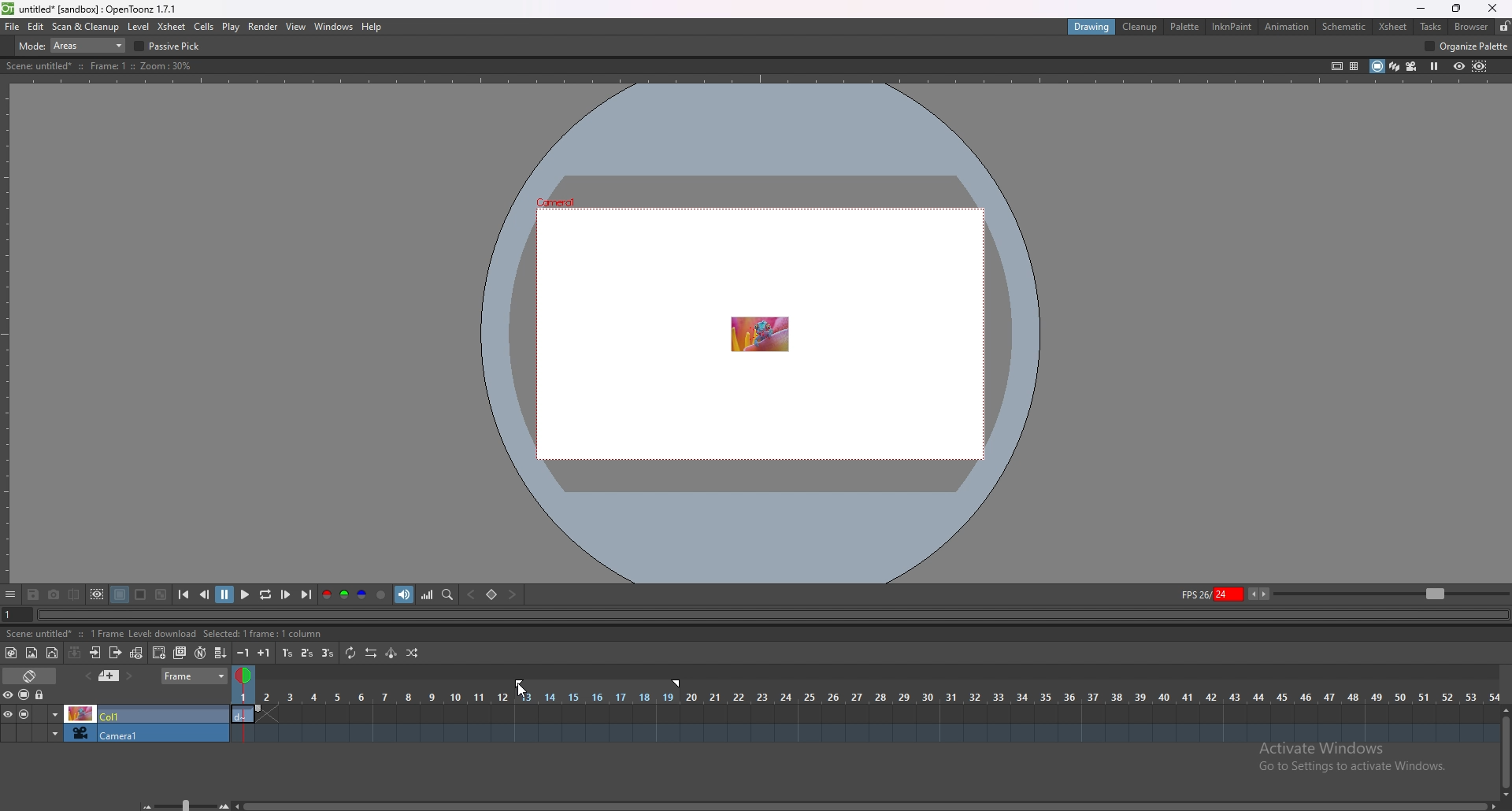 Image resolution: width=1512 pixels, height=811 pixels. I want to click on random, so click(412, 654).